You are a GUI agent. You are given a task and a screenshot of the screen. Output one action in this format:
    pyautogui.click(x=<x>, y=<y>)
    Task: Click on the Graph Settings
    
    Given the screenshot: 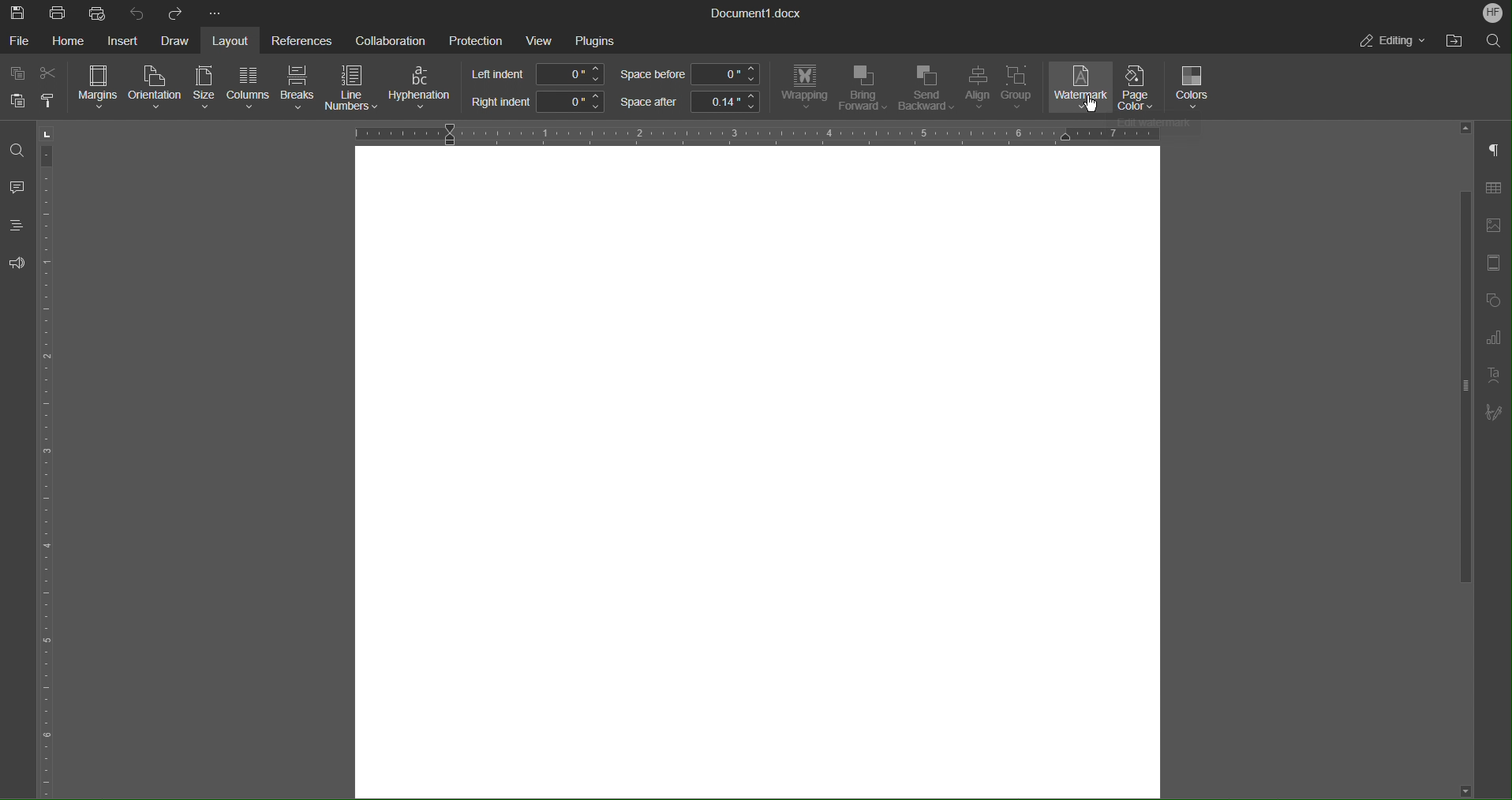 What is the action you would take?
    pyautogui.click(x=1493, y=341)
    